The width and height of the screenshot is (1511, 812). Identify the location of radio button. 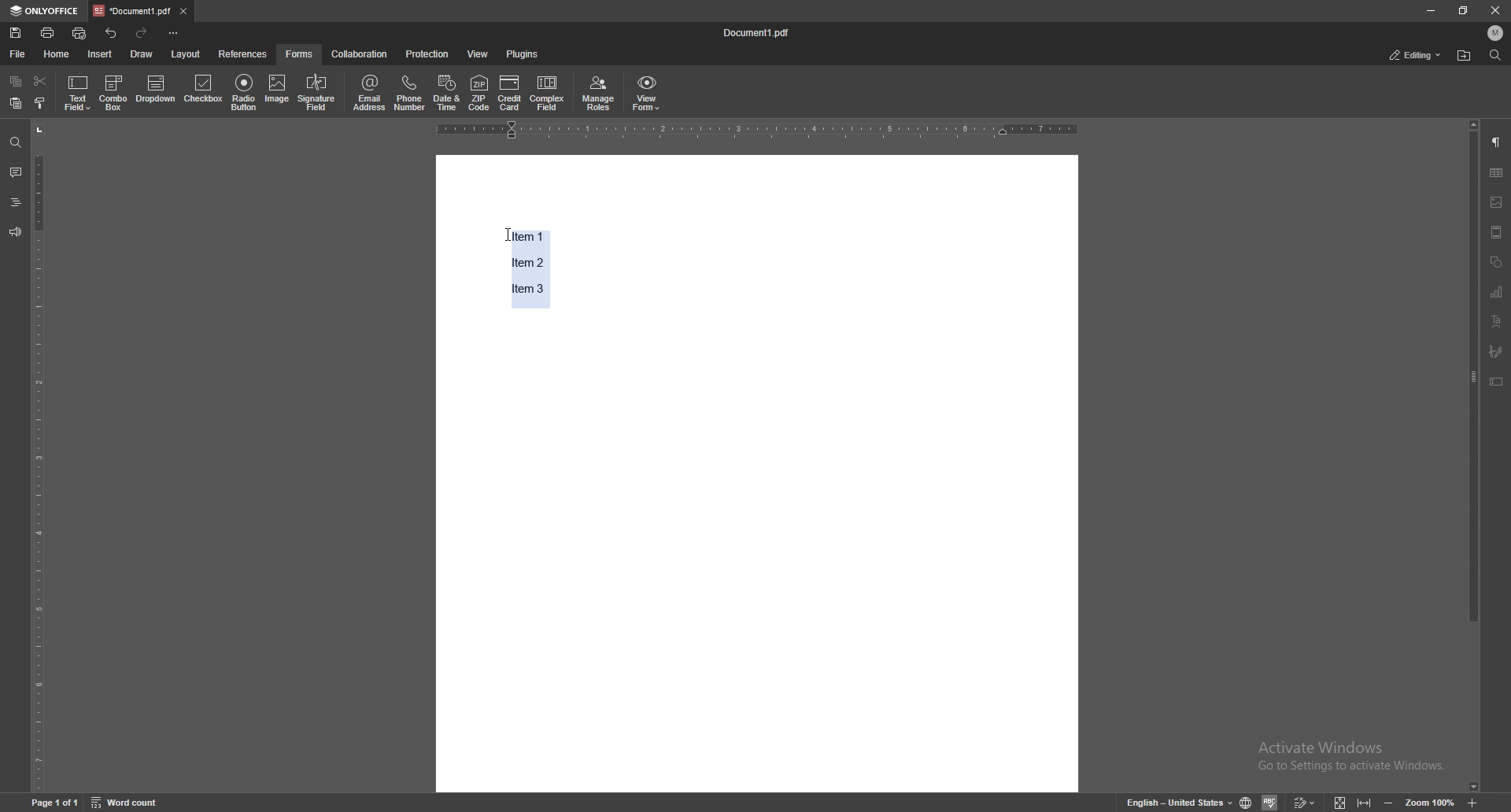
(246, 93).